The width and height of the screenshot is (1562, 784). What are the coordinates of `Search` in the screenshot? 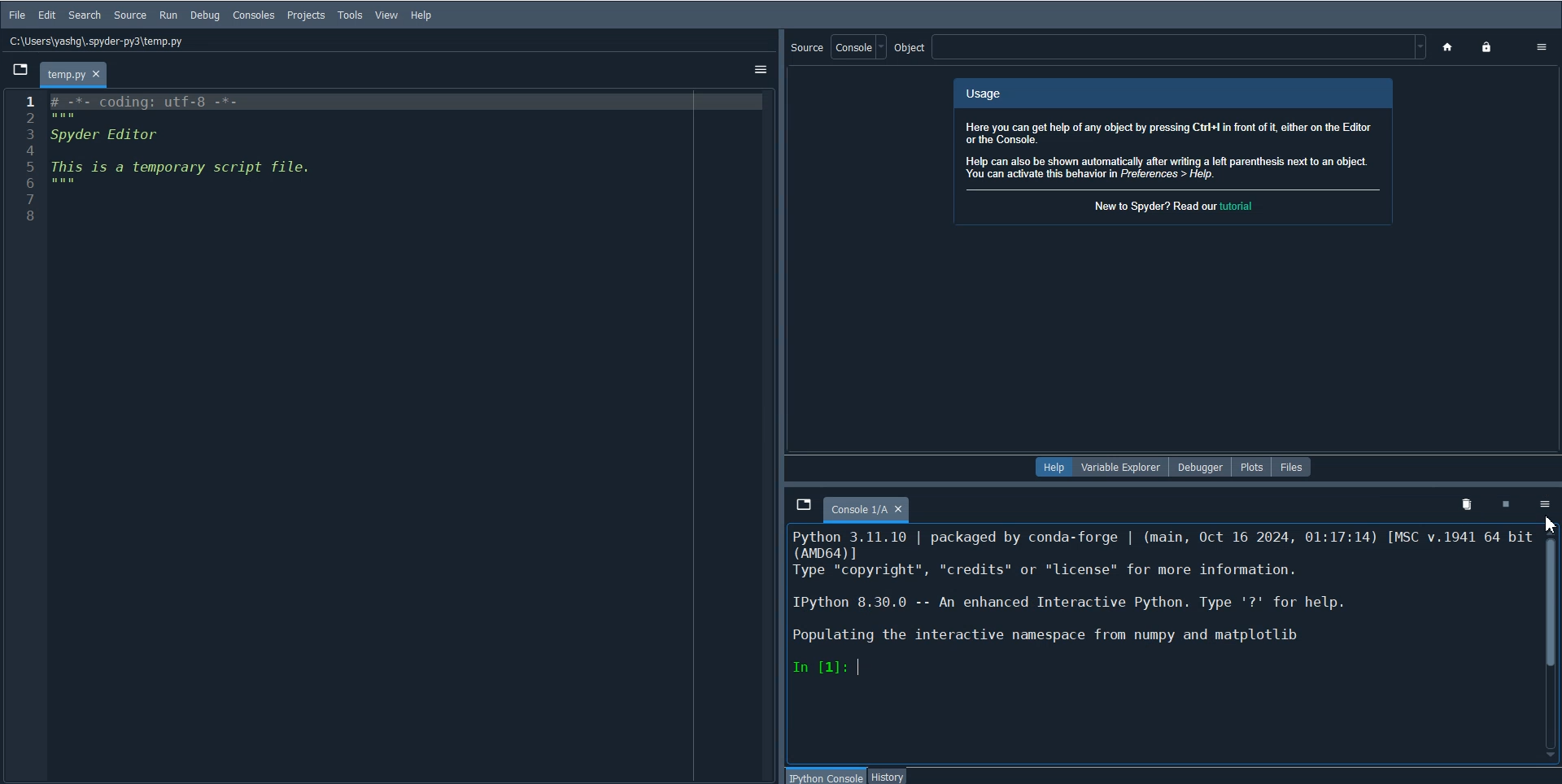 It's located at (85, 15).